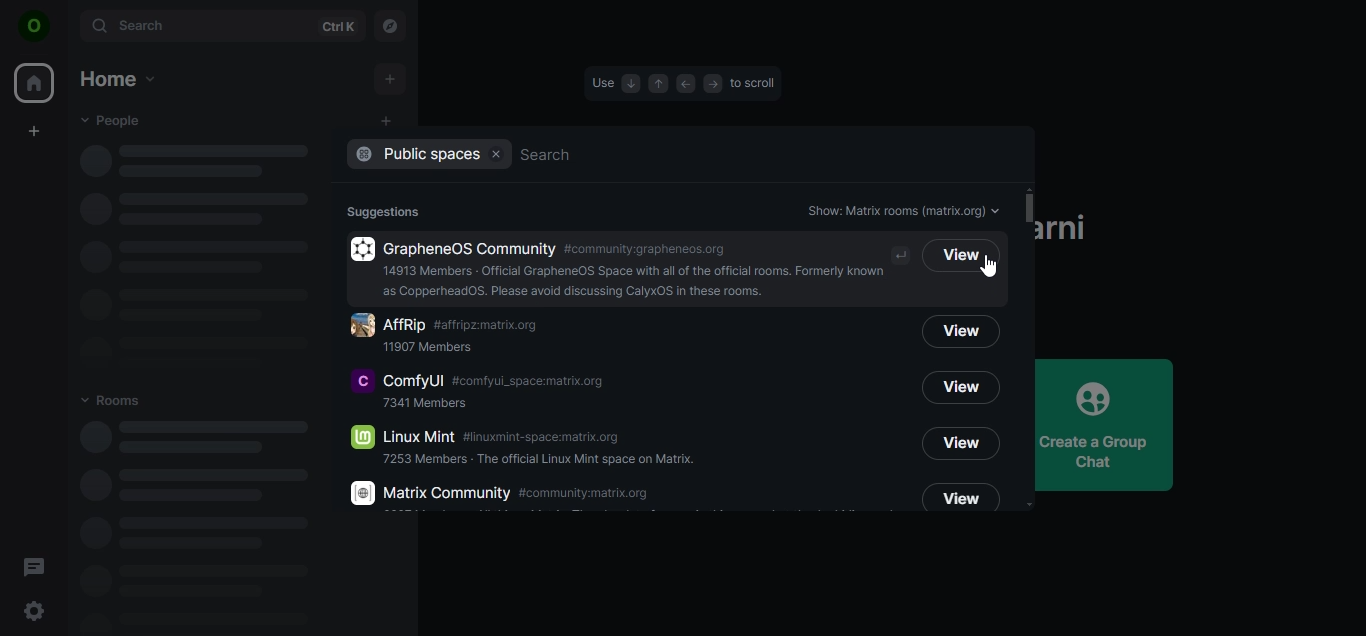  Describe the element at coordinates (703, 153) in the screenshot. I see `search` at that location.